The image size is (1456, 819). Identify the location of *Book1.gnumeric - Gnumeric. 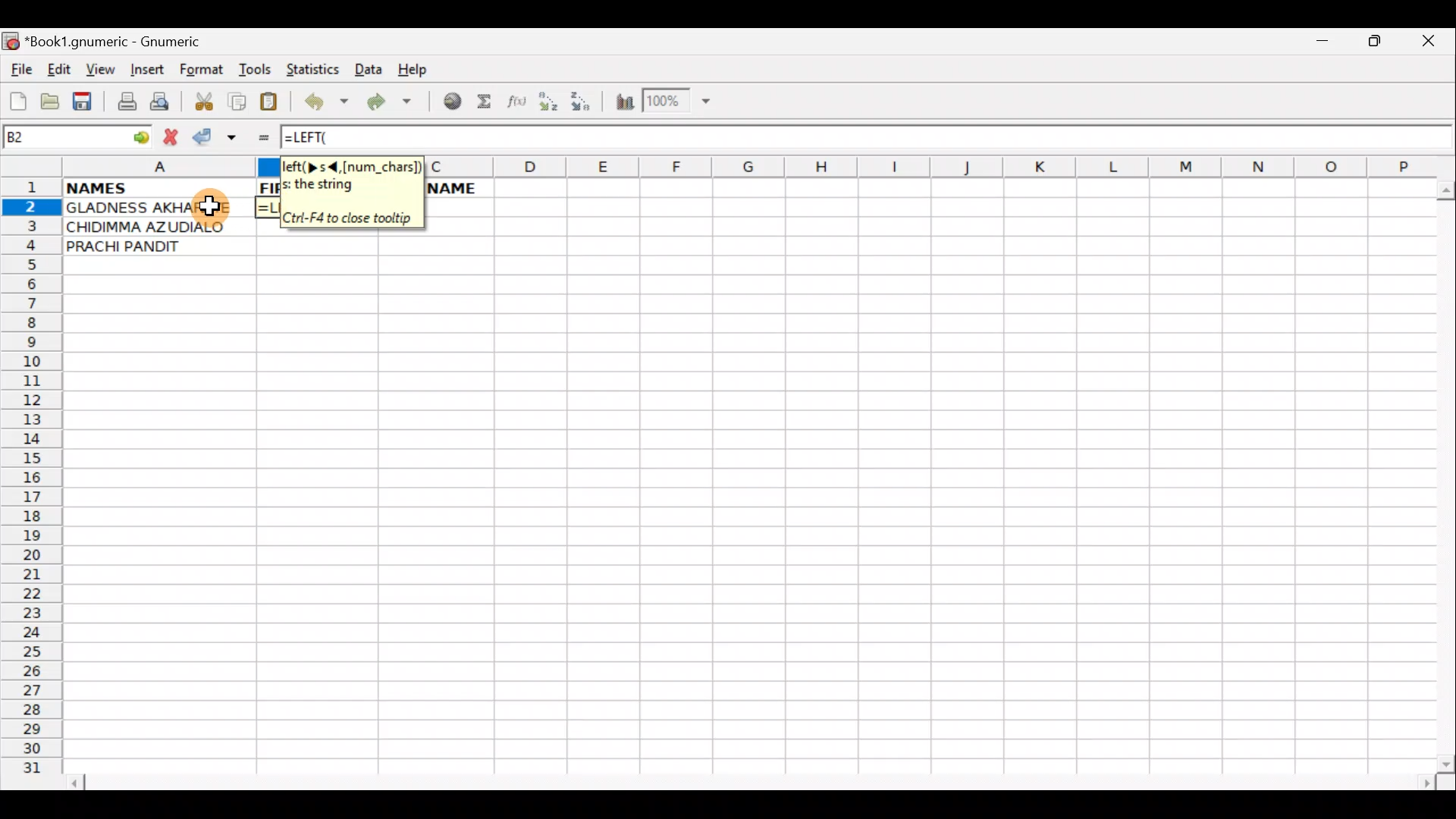
(127, 42).